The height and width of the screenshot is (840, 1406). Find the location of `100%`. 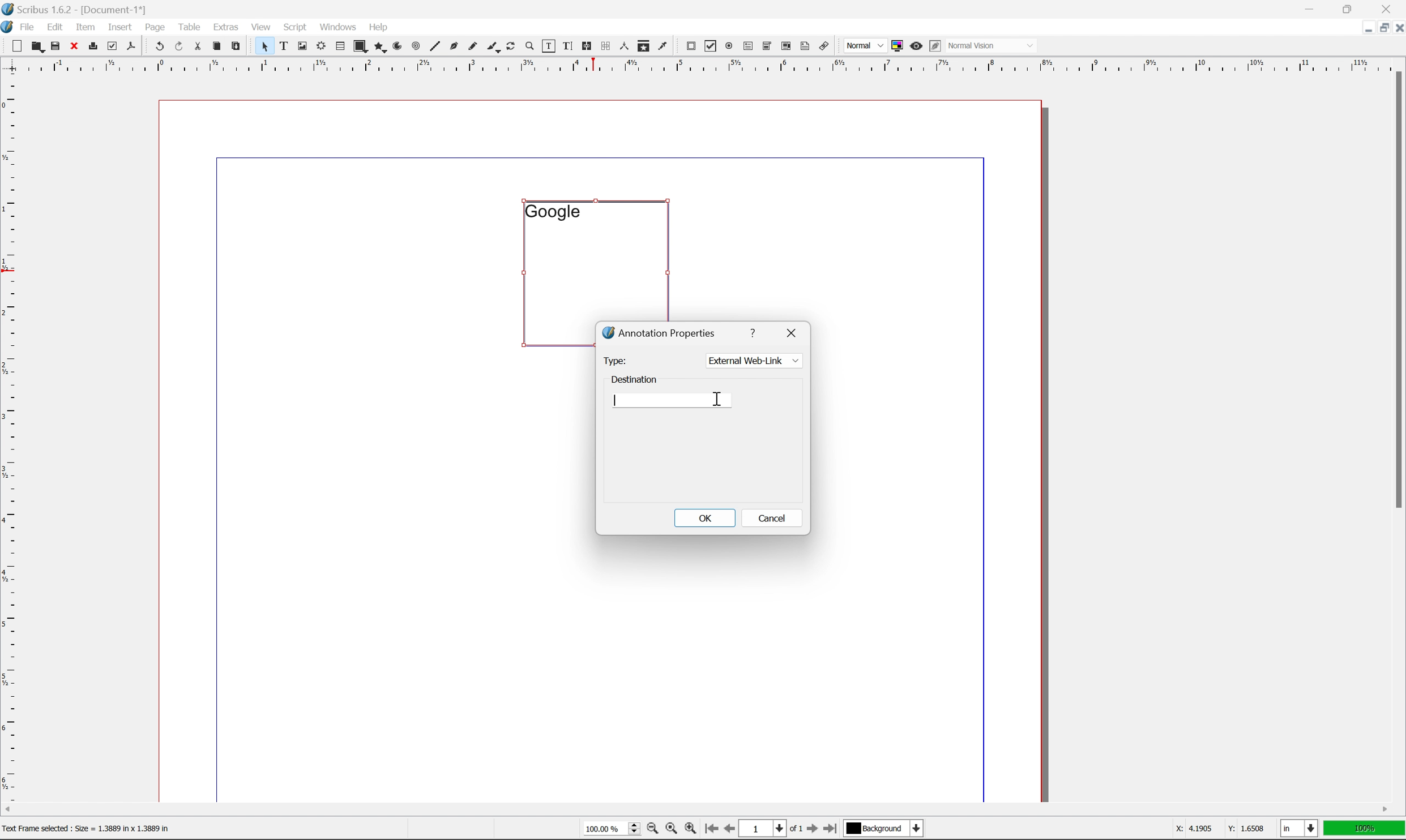

100% is located at coordinates (1365, 829).